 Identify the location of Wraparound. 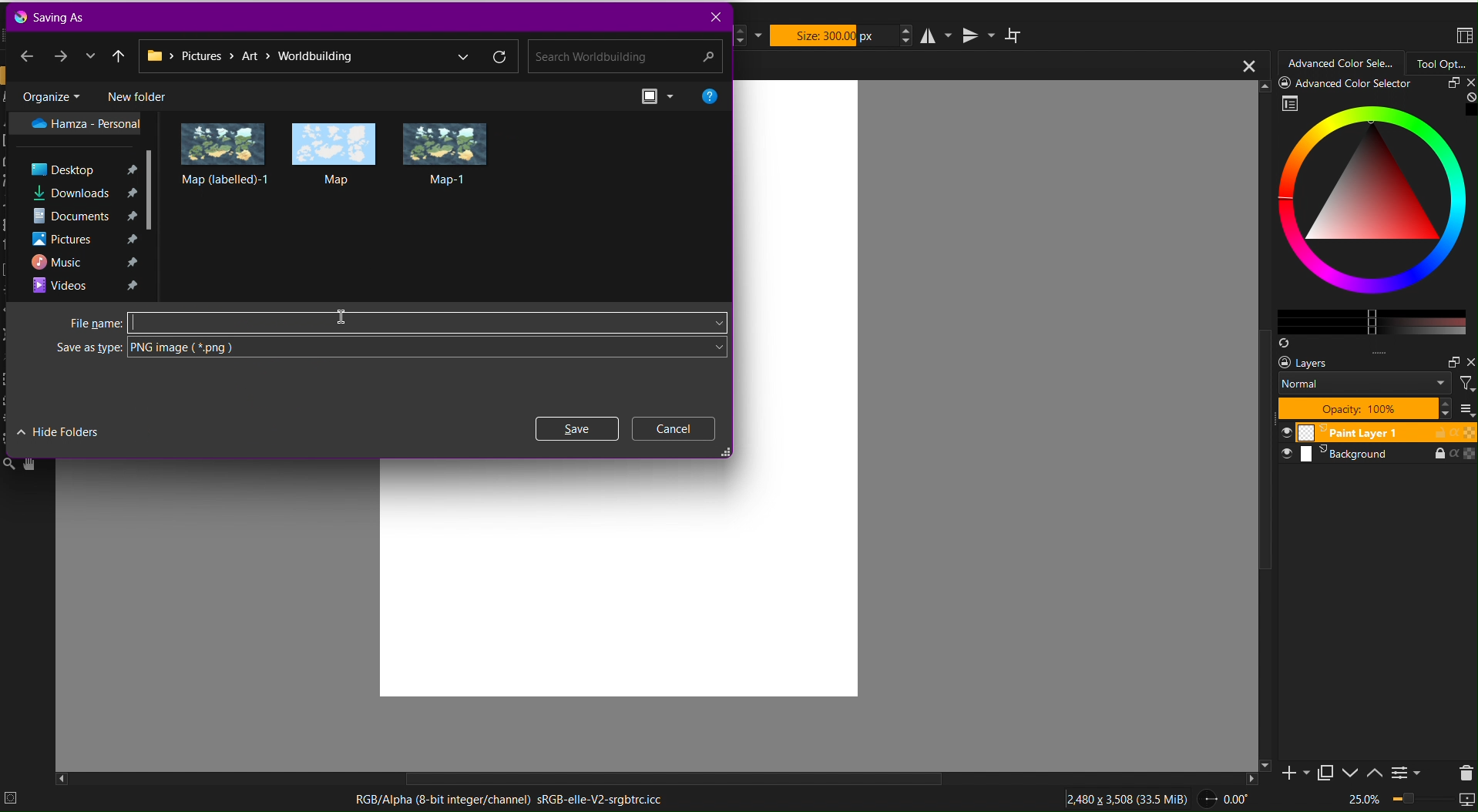
(1015, 35).